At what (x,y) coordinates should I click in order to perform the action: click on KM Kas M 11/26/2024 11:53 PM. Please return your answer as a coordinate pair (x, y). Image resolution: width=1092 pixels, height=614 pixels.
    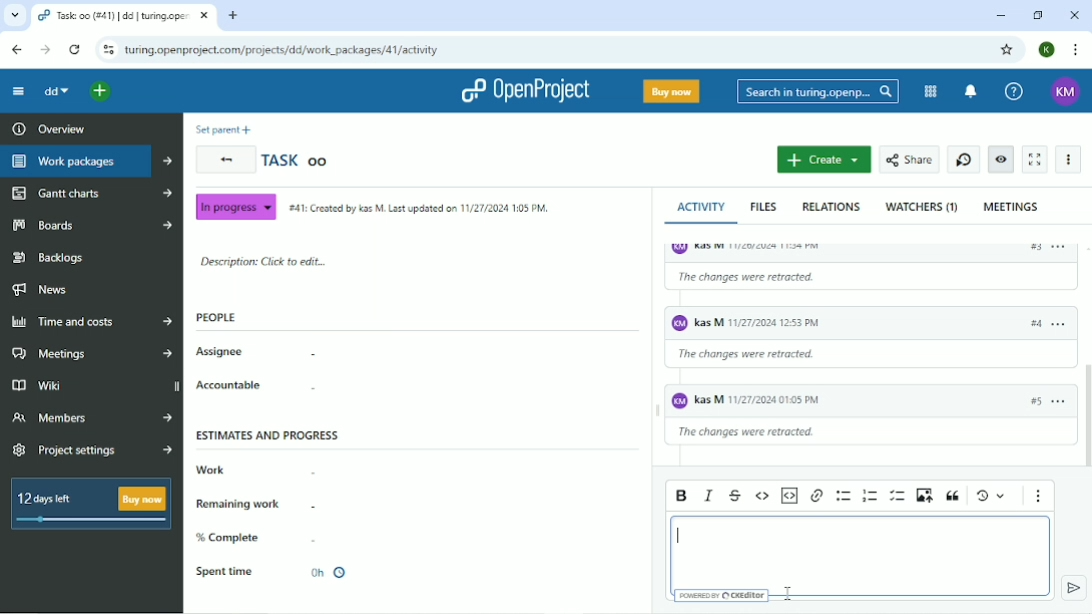
    Looking at the image, I should click on (785, 325).